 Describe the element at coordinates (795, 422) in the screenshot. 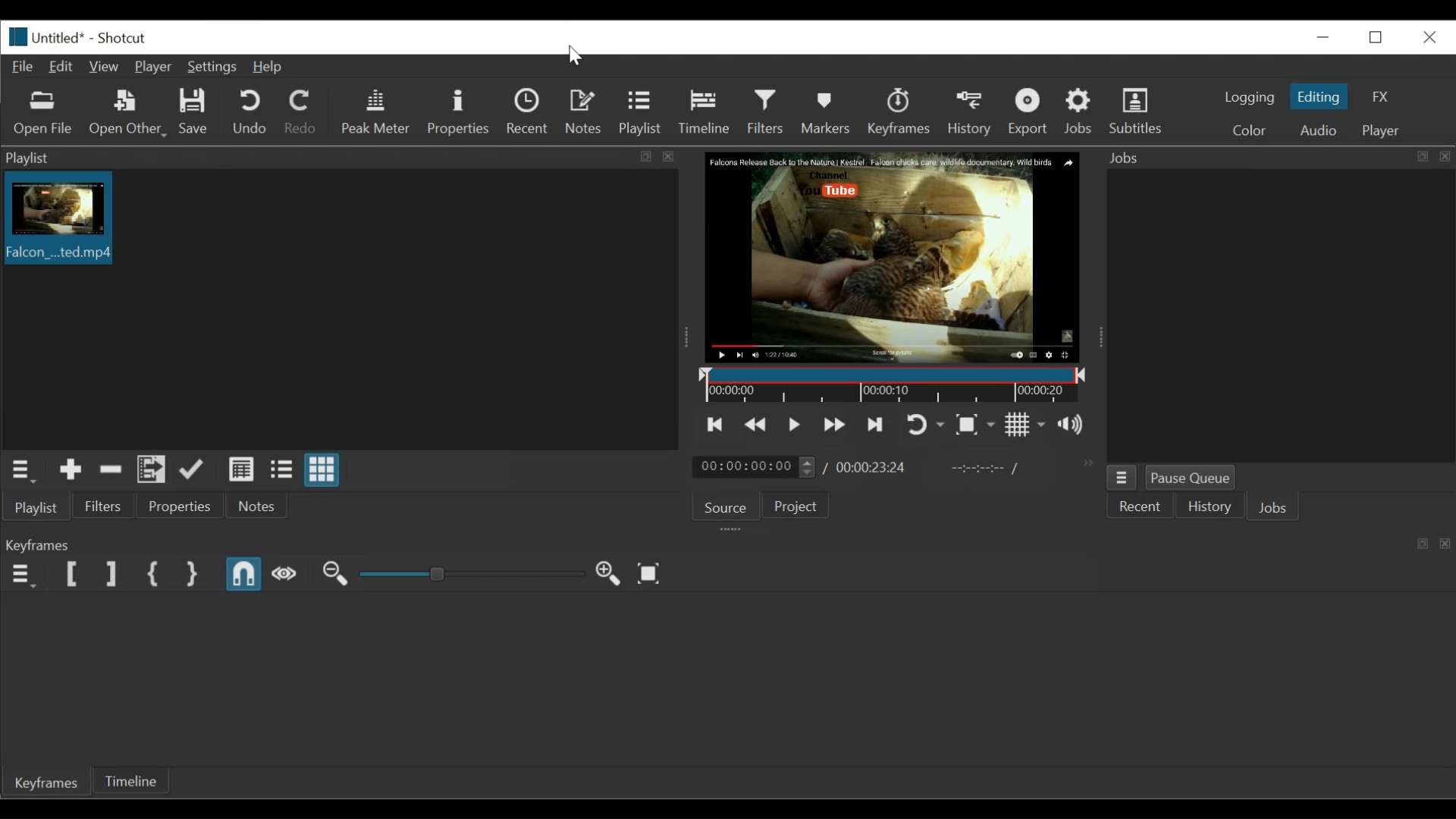

I see `Toggle play or pause (space)` at that location.